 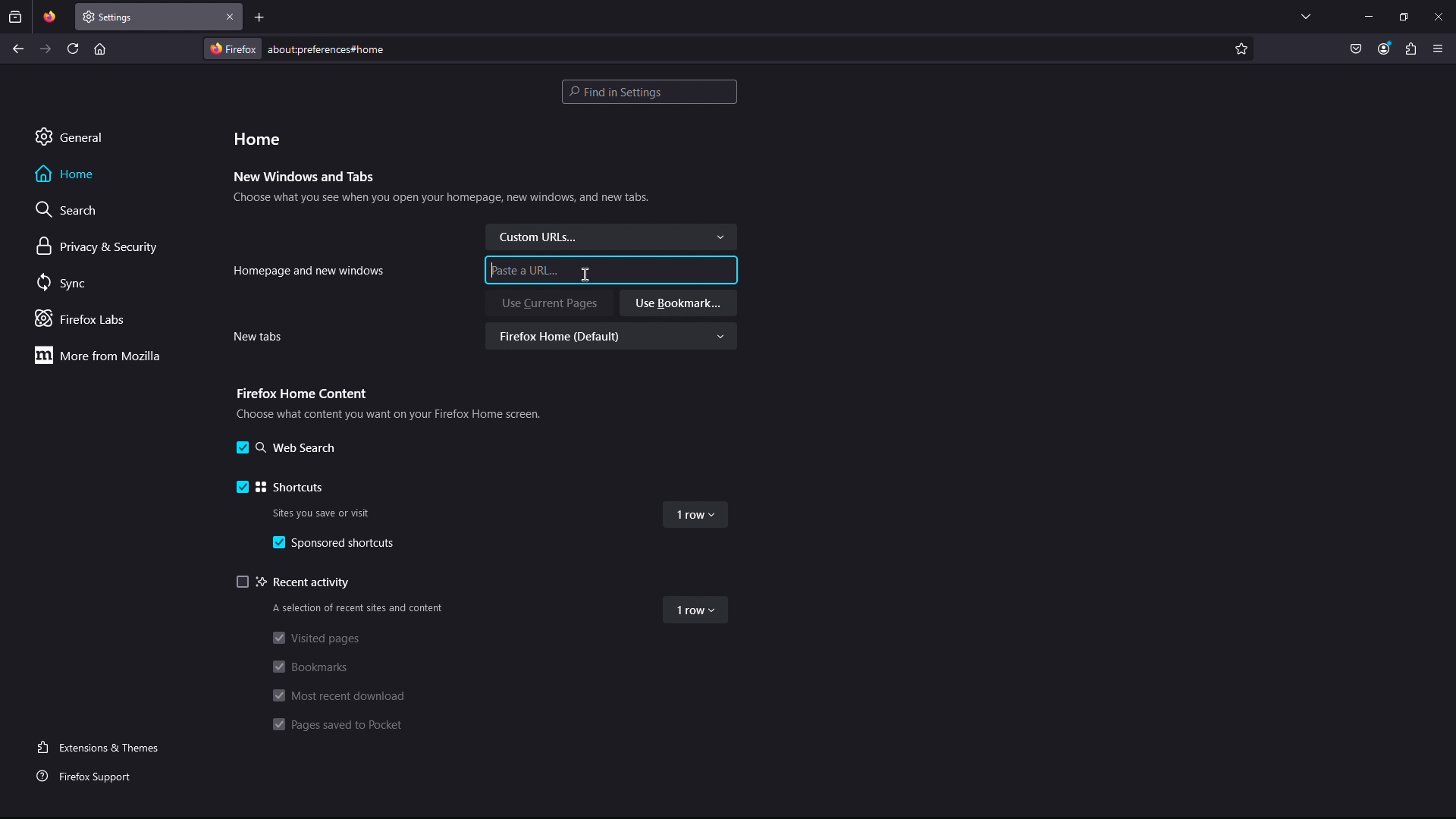 What do you see at coordinates (1438, 16) in the screenshot?
I see `Close` at bounding box center [1438, 16].